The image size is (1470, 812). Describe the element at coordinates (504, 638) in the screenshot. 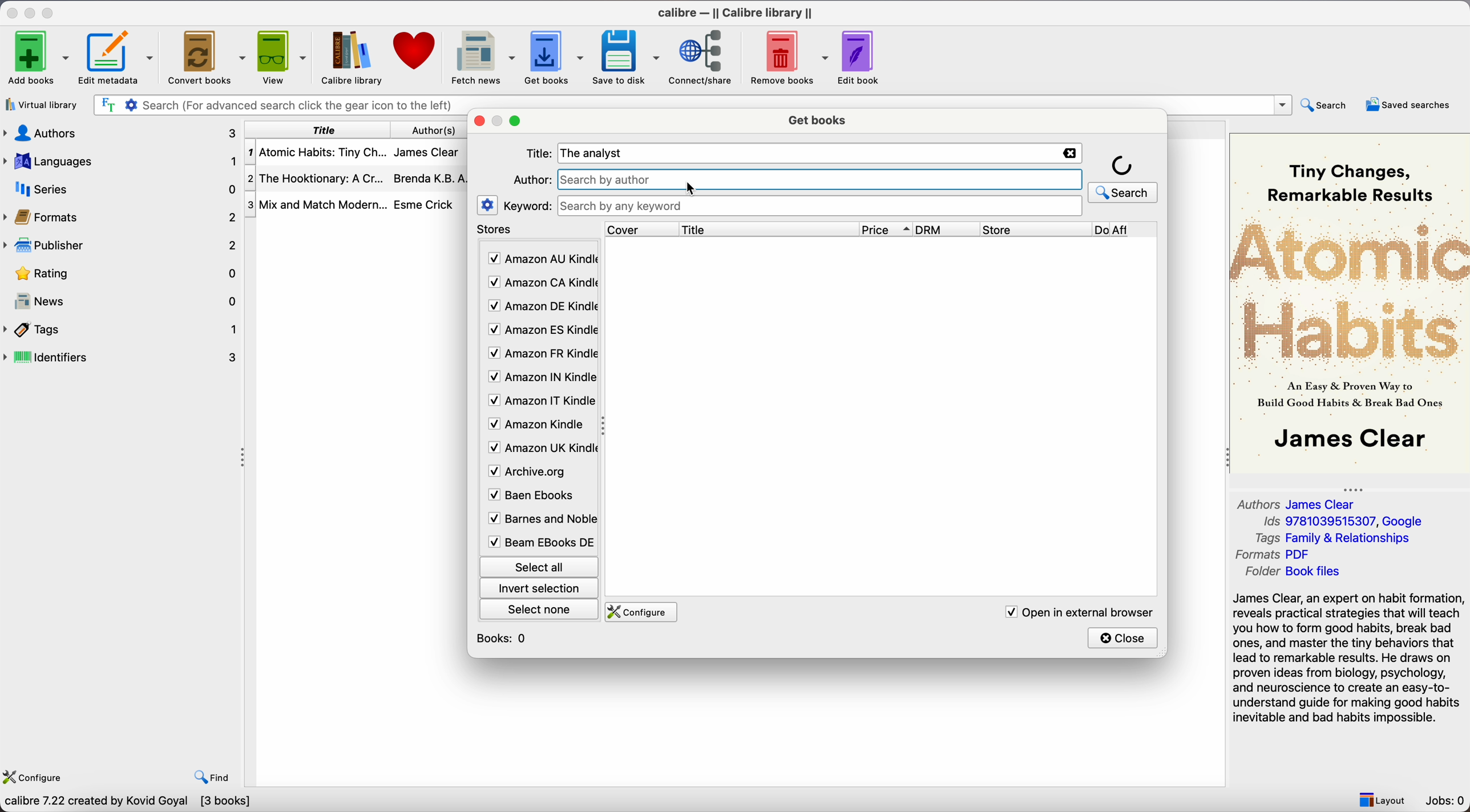

I see `books: 0` at that location.